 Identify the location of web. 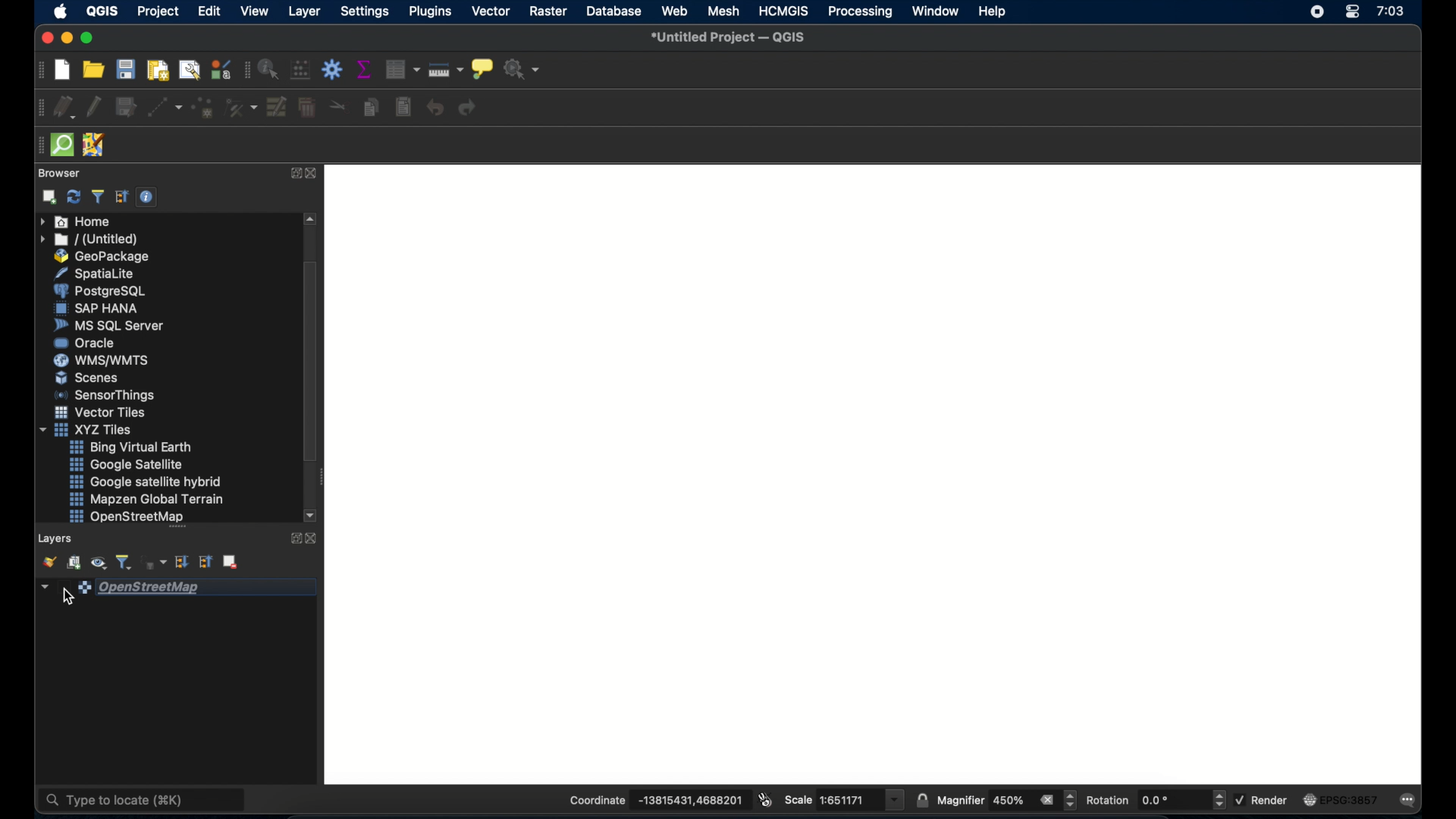
(674, 10).